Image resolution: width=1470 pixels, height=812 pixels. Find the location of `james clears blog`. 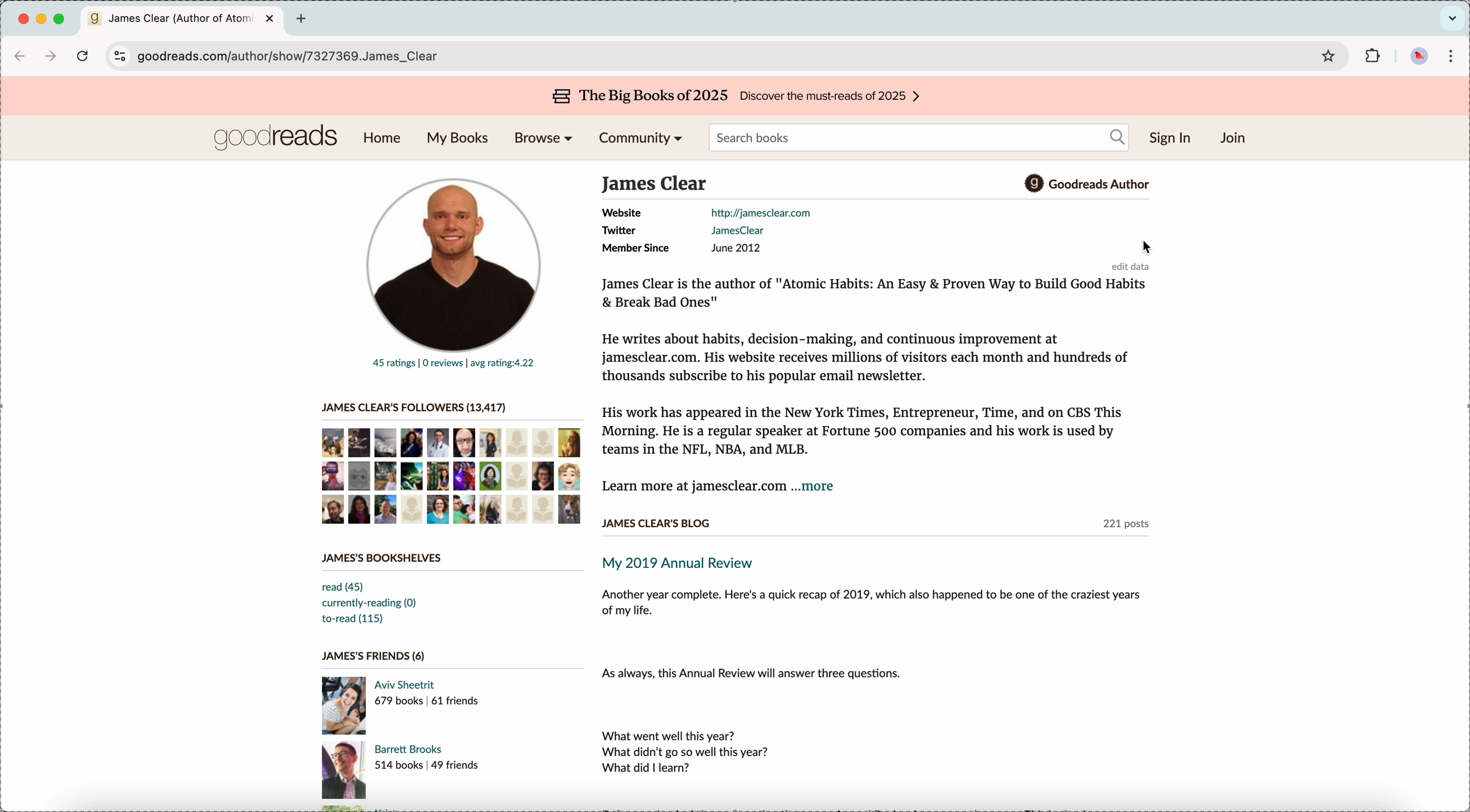

james clears blog is located at coordinates (655, 523).